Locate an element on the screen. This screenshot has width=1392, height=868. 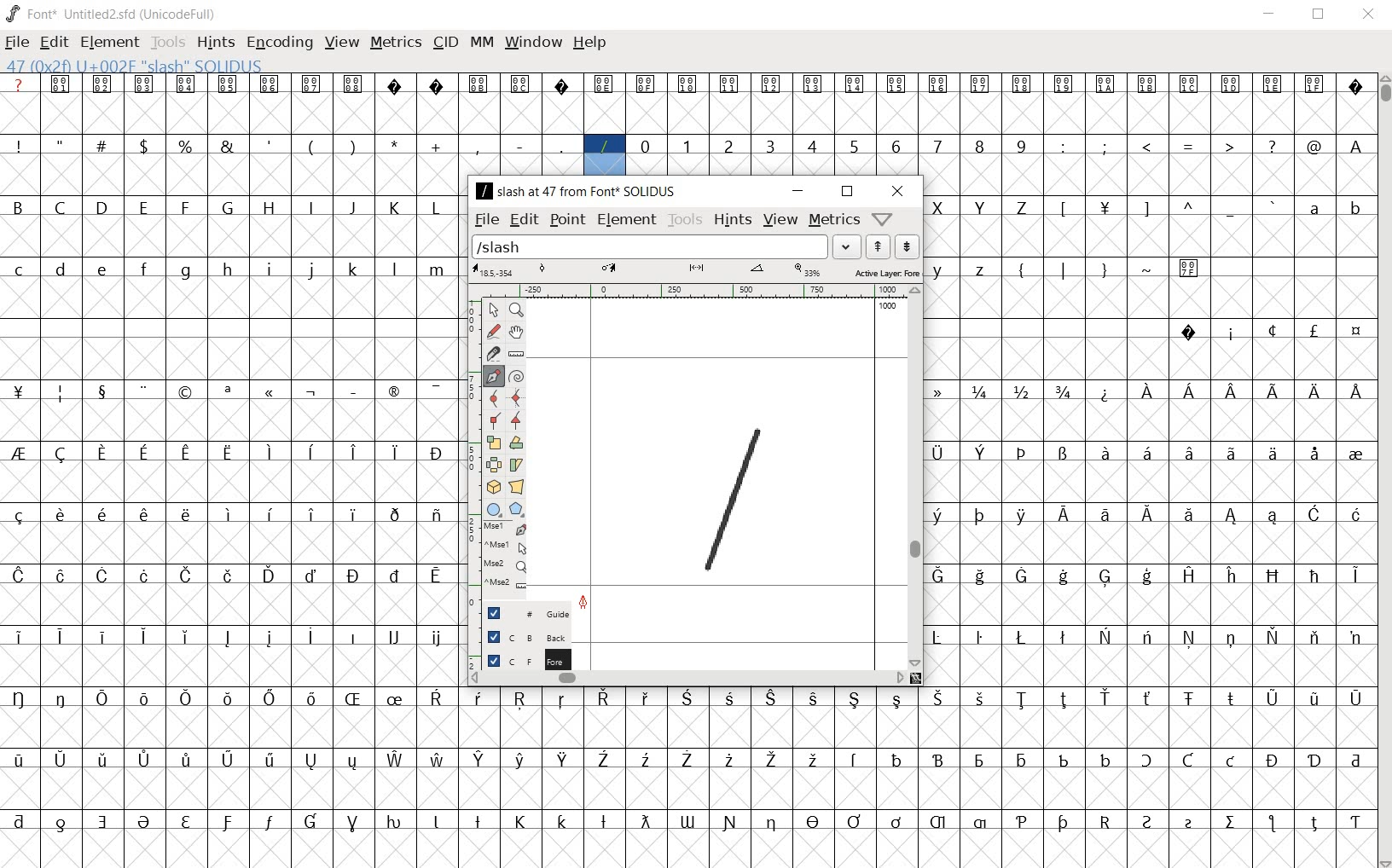
47(0*2f)U+002F "SLASH" SOLIDUS is located at coordinates (605, 155).